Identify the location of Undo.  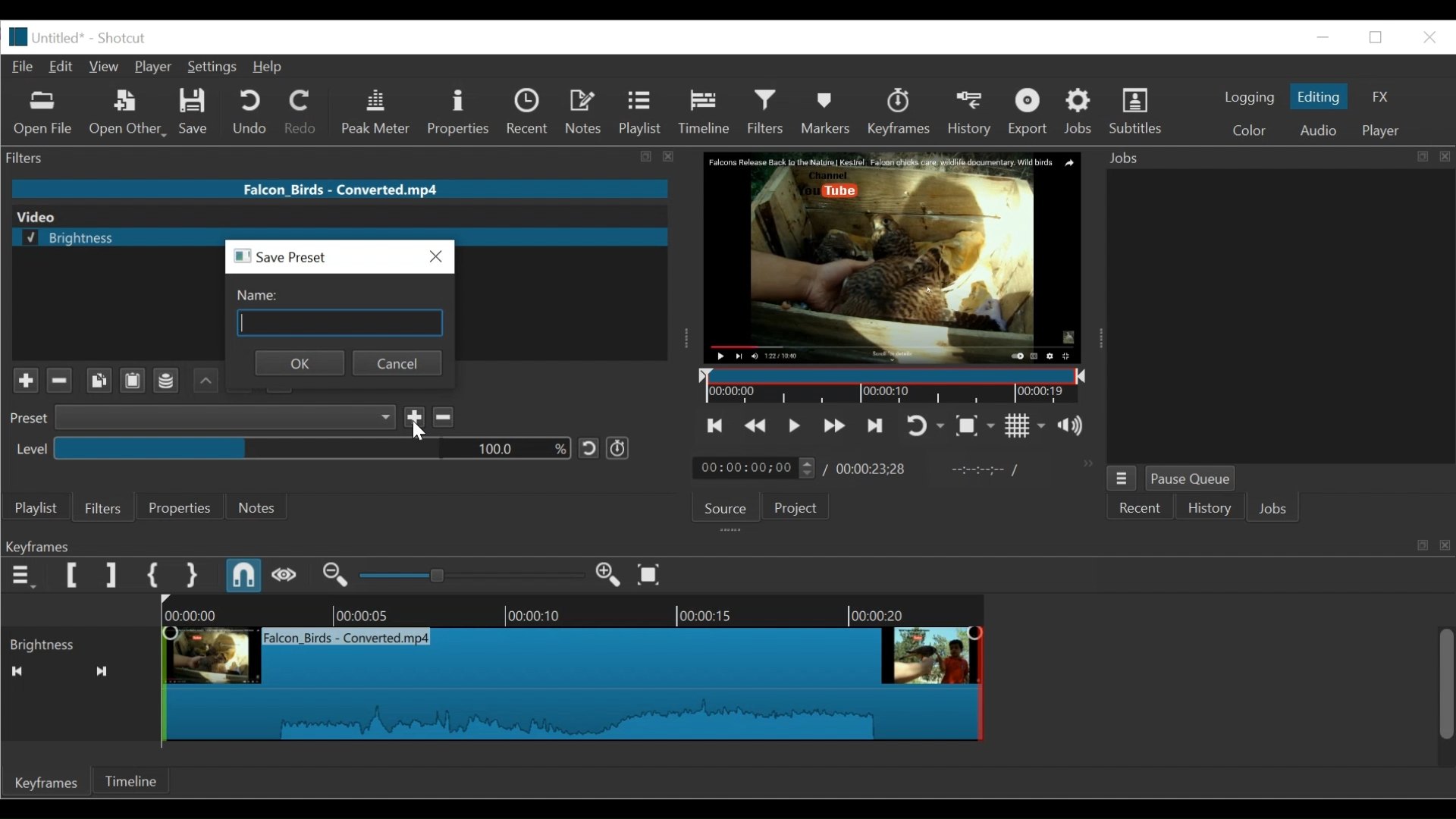
(253, 113).